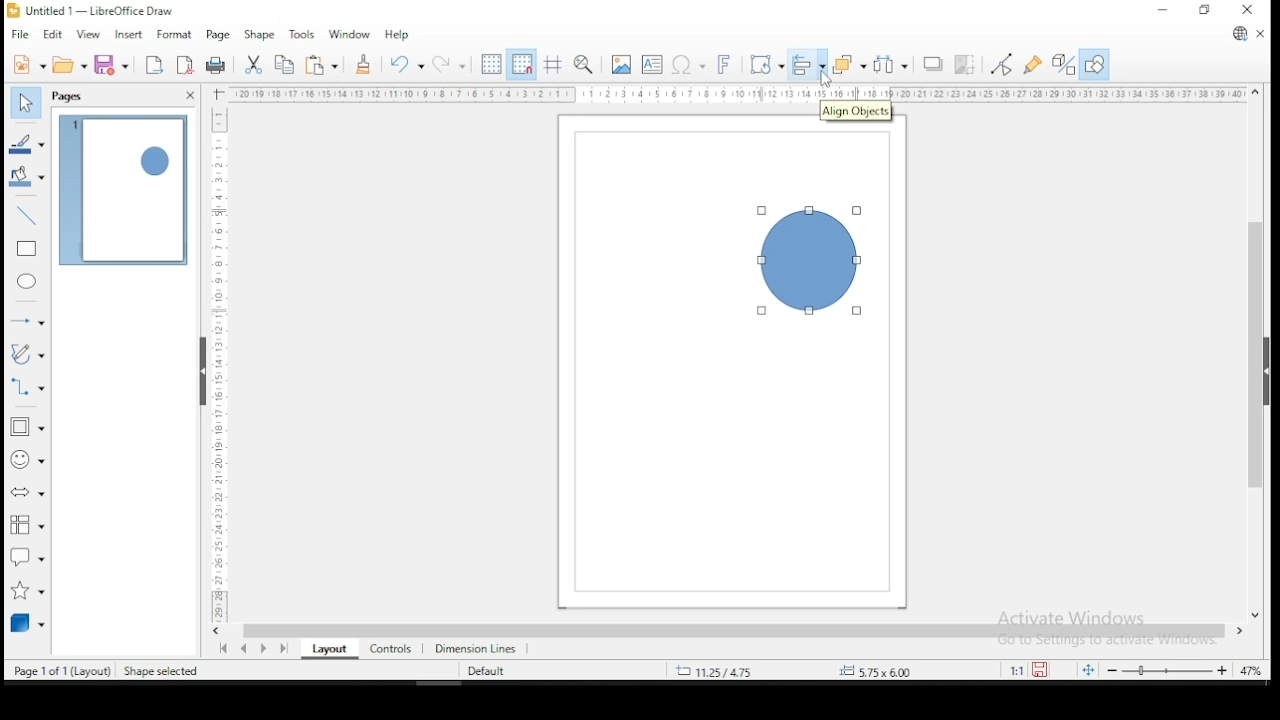  What do you see at coordinates (29, 586) in the screenshot?
I see `stars and banners` at bounding box center [29, 586].